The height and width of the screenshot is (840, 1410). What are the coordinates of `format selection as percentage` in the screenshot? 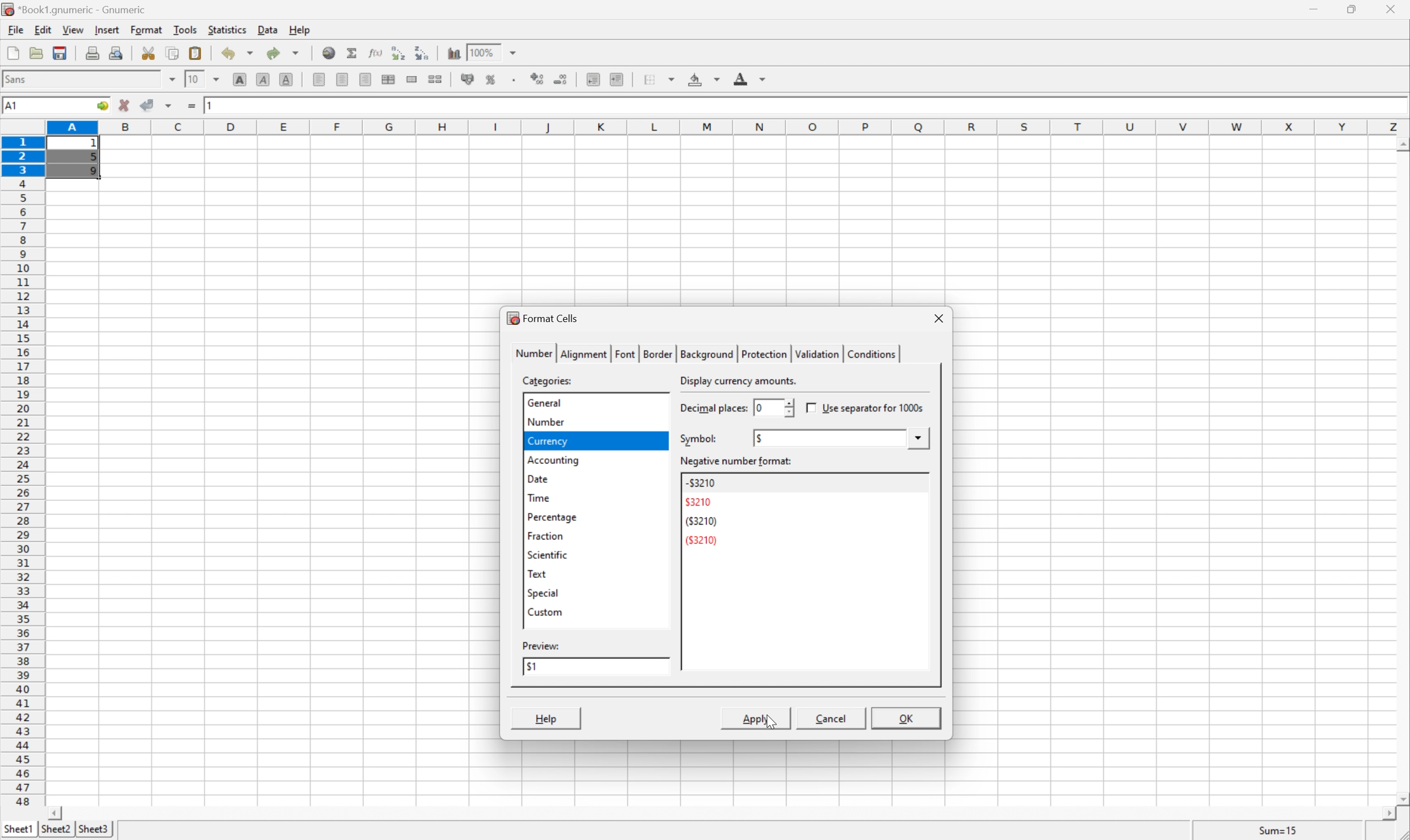 It's located at (491, 79).